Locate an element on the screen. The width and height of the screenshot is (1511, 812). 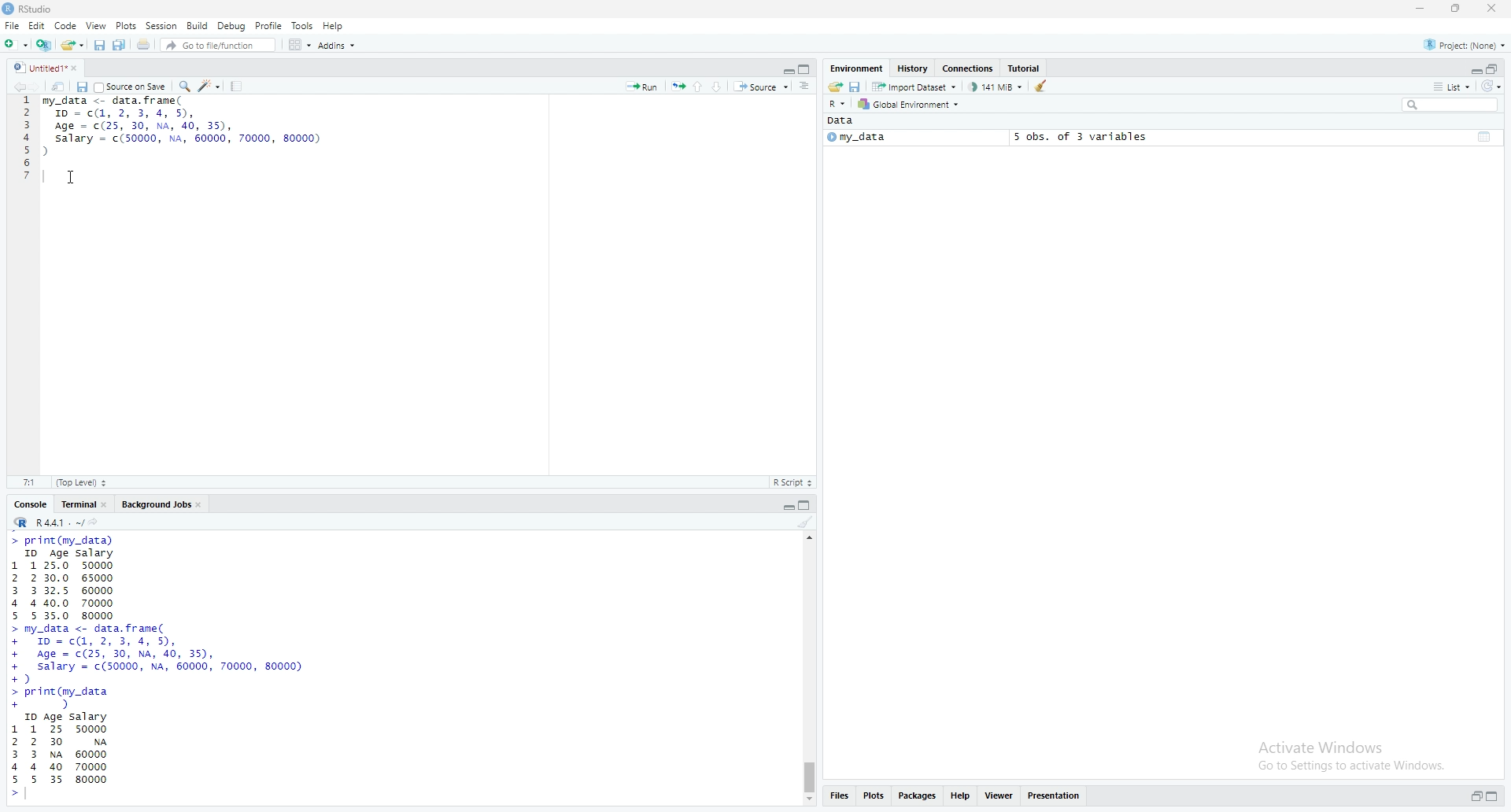
open an existing file is located at coordinates (72, 45).